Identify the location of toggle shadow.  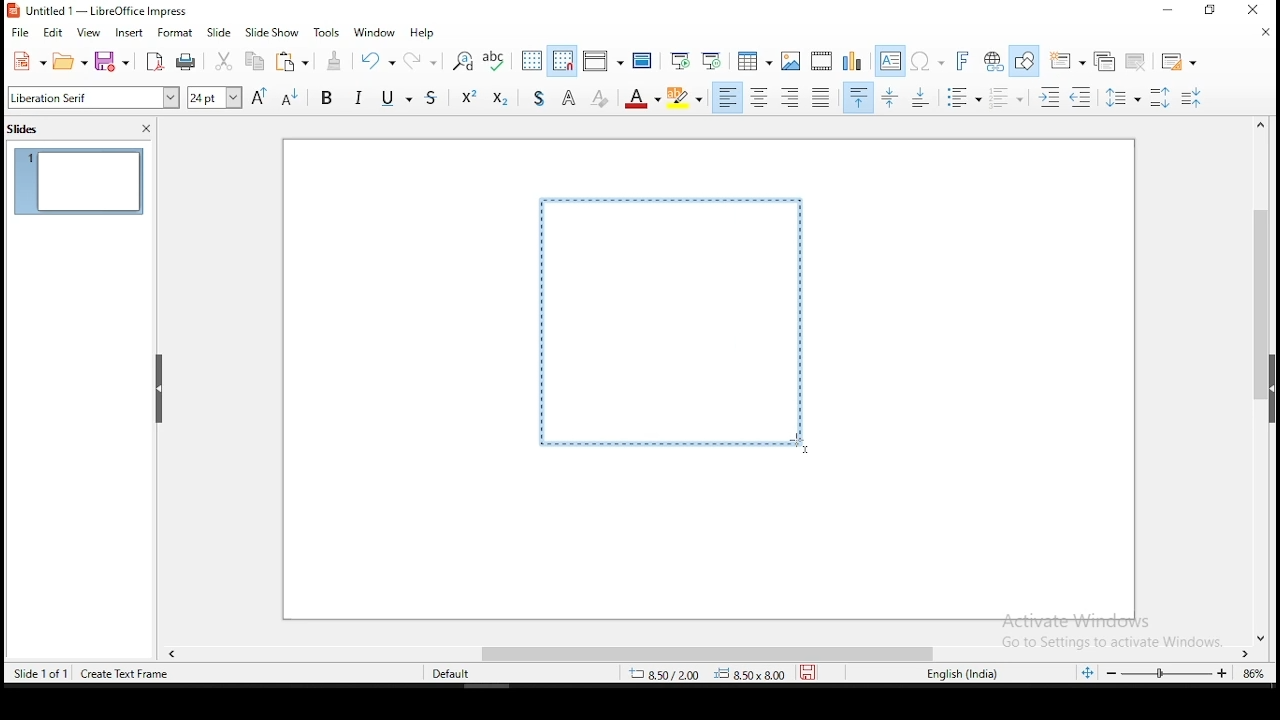
(543, 98).